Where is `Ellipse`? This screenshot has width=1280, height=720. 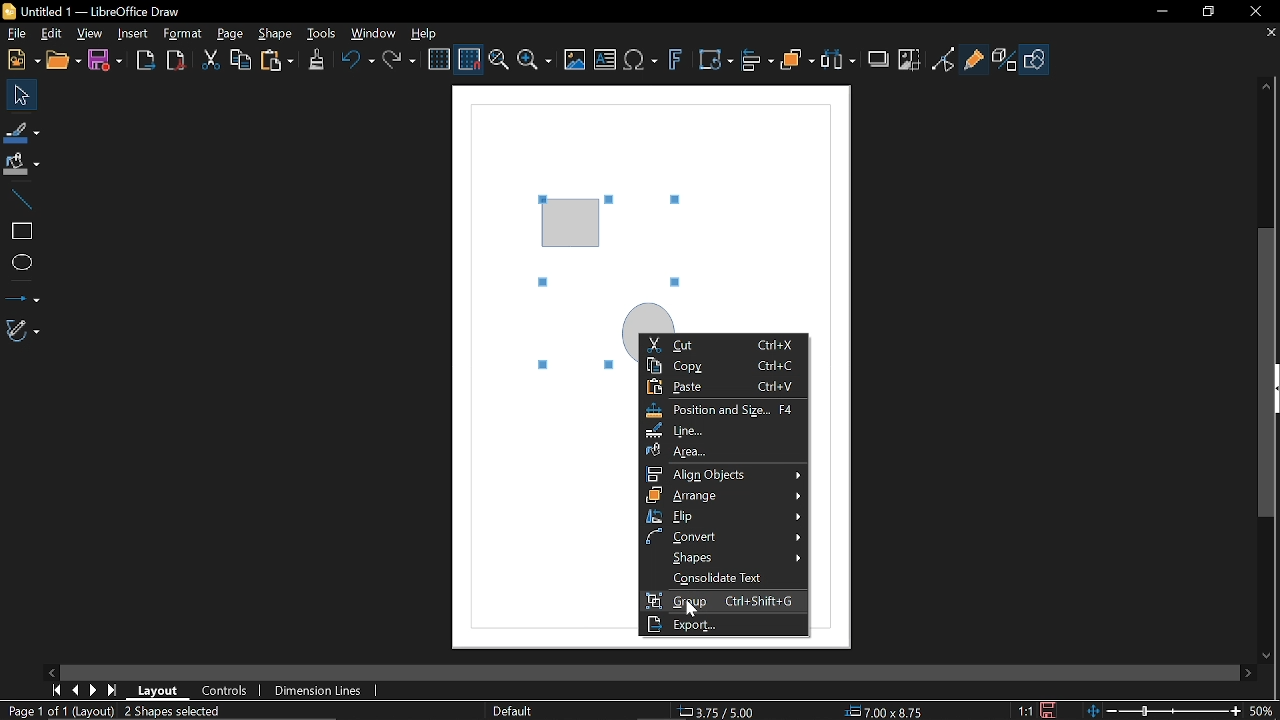
Ellipse is located at coordinates (19, 262).